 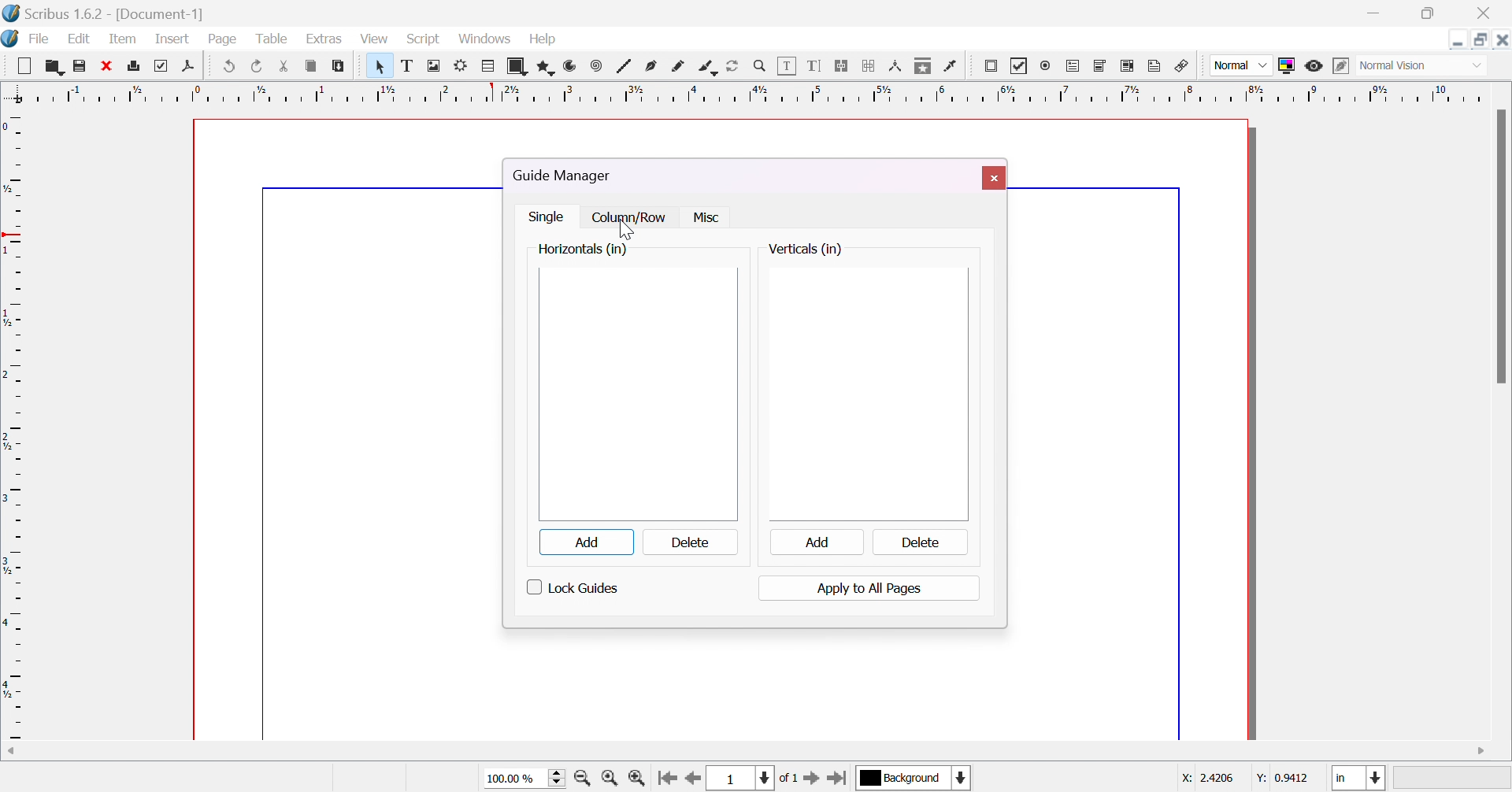 What do you see at coordinates (1158, 67) in the screenshot?
I see `text annotation` at bounding box center [1158, 67].